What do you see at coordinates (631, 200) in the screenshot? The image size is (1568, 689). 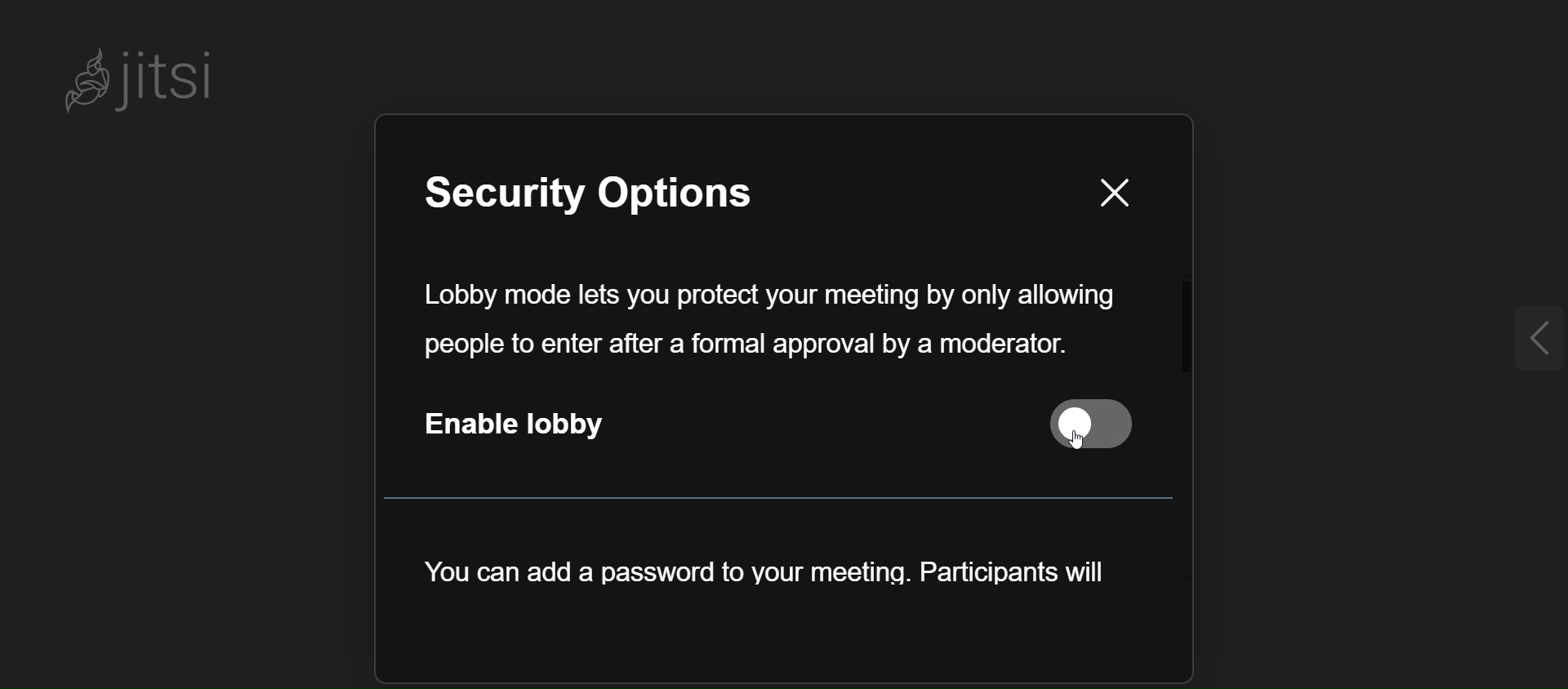 I see `security options` at bounding box center [631, 200].